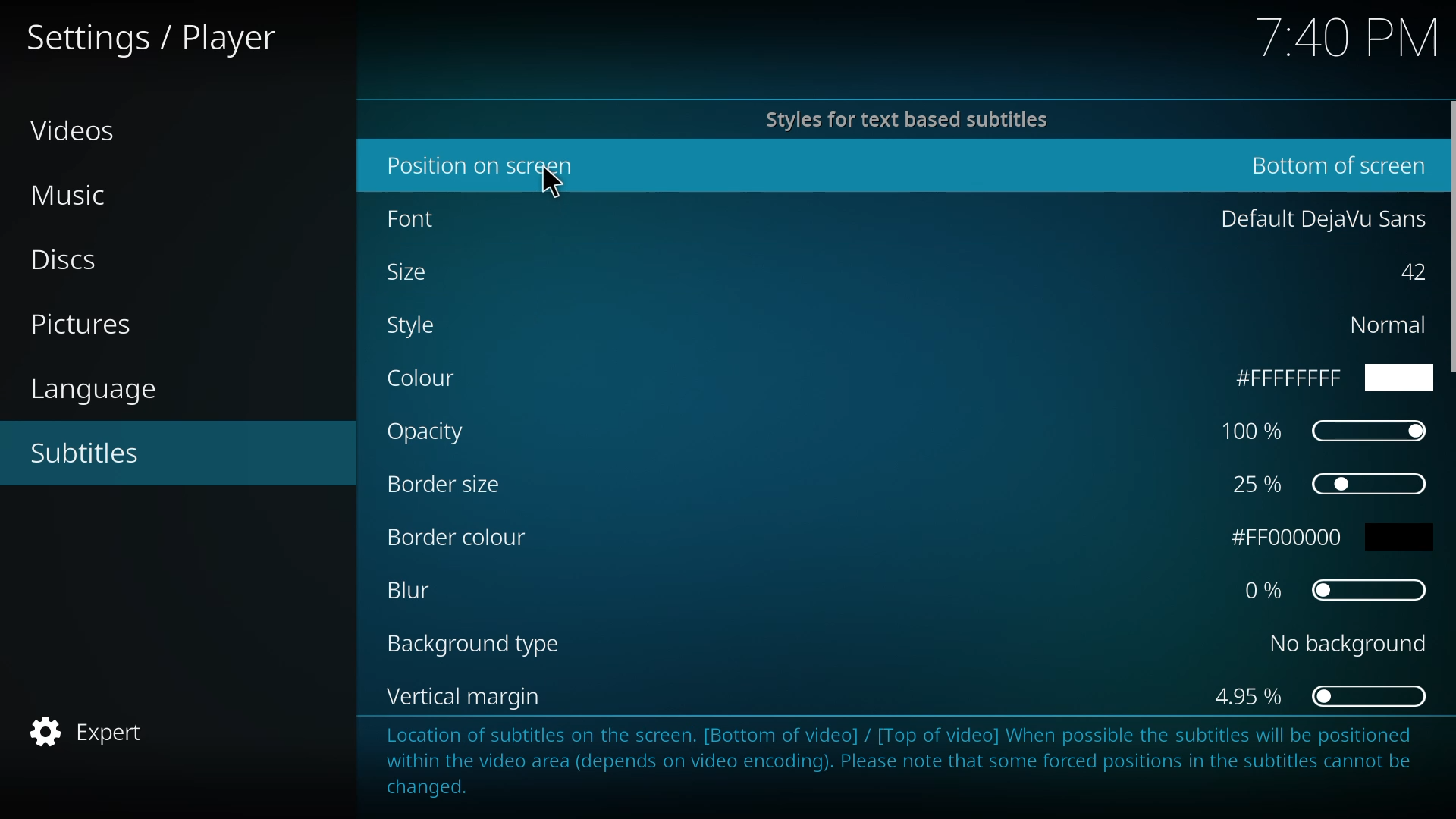 Image resolution: width=1456 pixels, height=819 pixels. Describe the element at coordinates (1317, 696) in the screenshot. I see `4.95` at that location.